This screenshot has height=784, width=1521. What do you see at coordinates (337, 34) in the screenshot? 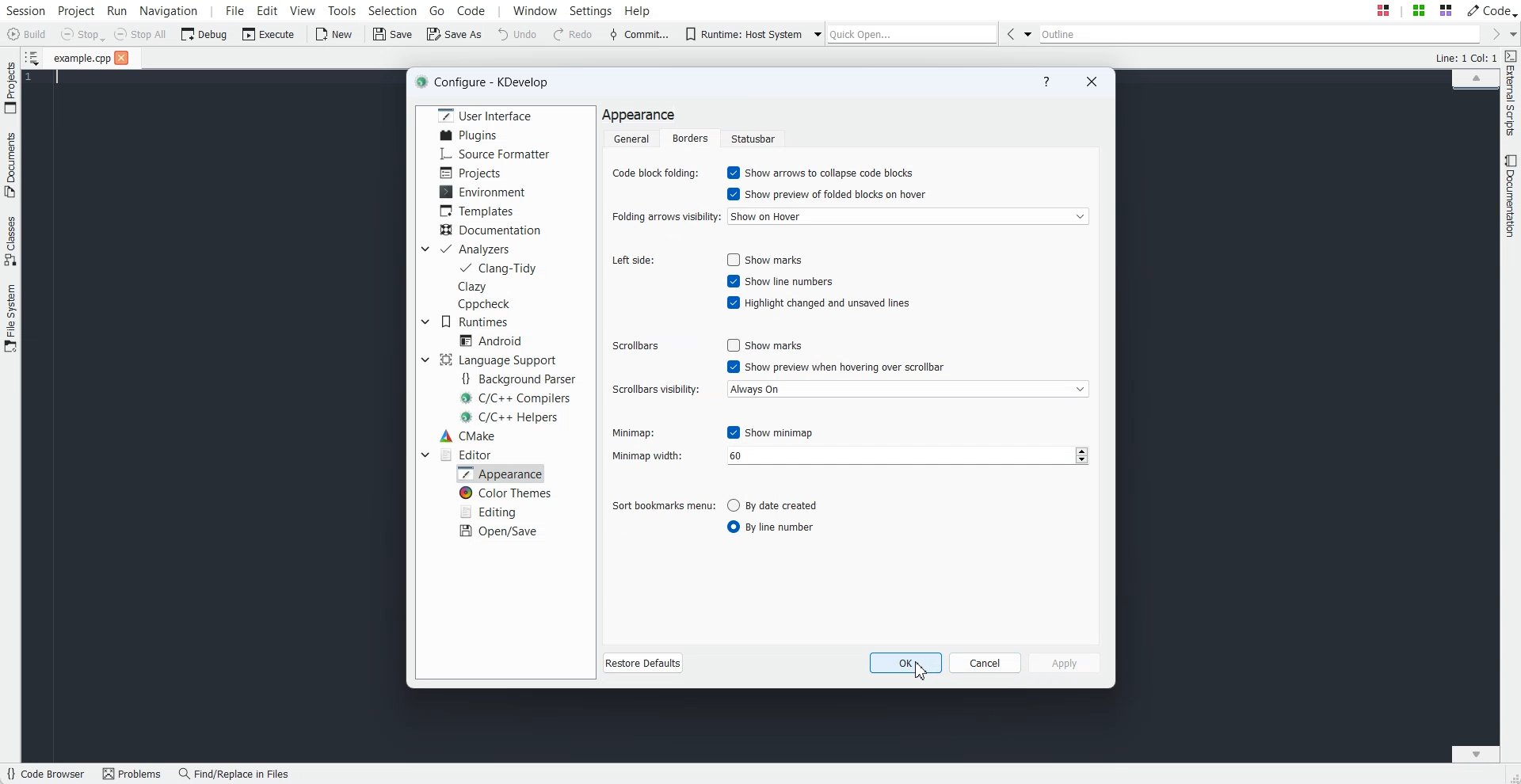
I see `New` at bounding box center [337, 34].